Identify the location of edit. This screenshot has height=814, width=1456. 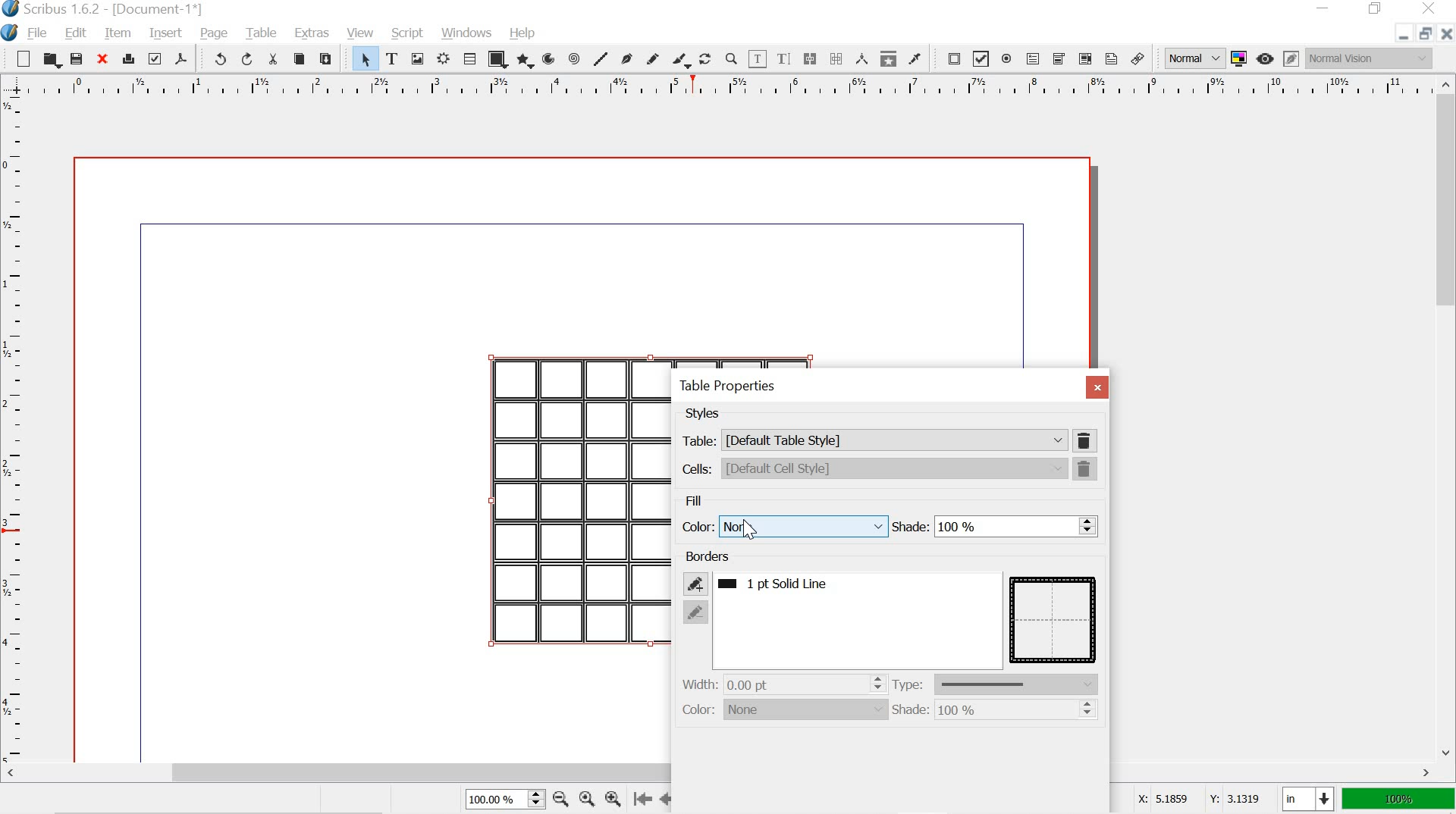
(77, 33).